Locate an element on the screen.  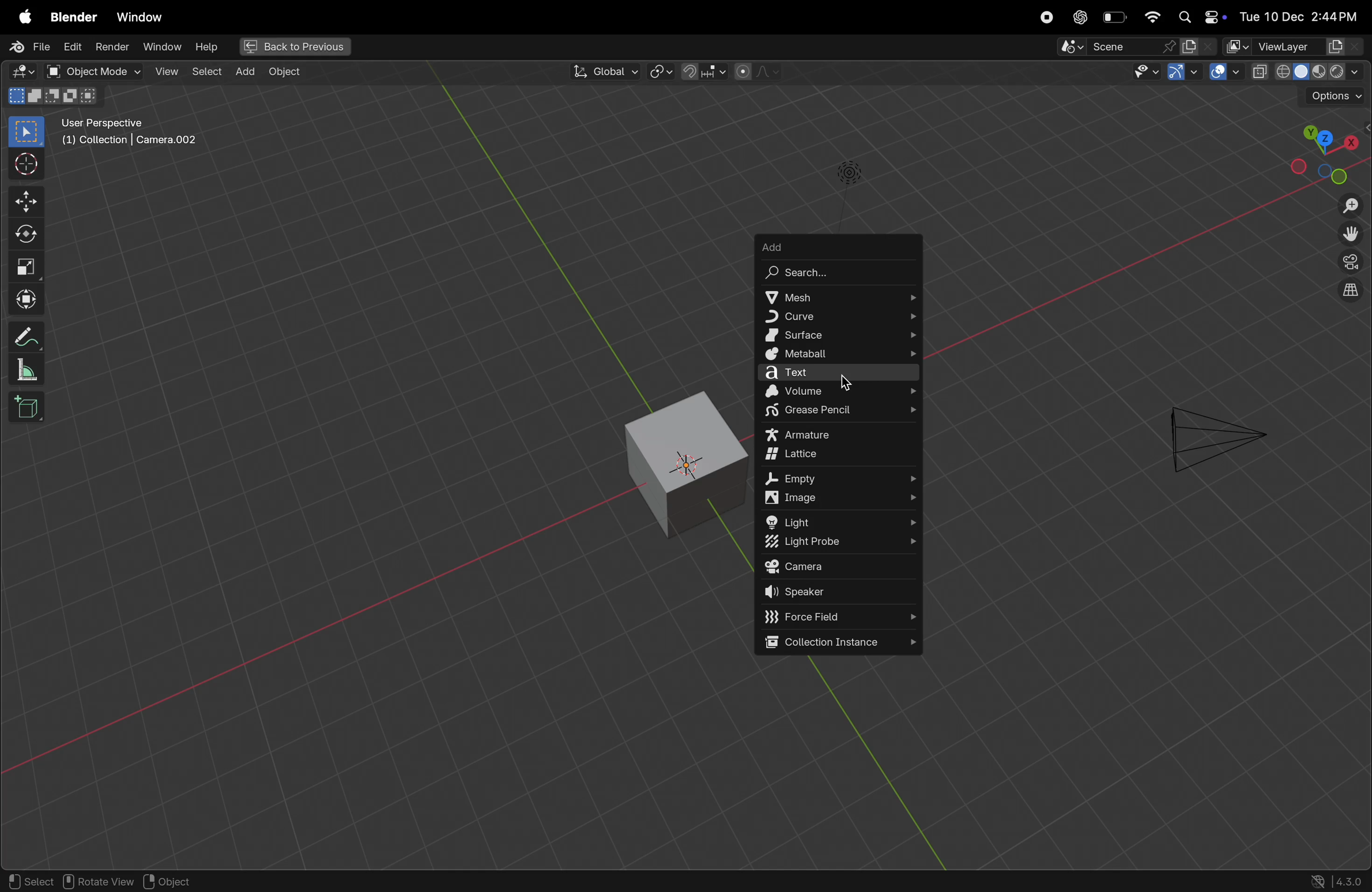
move the view is located at coordinates (1350, 236).